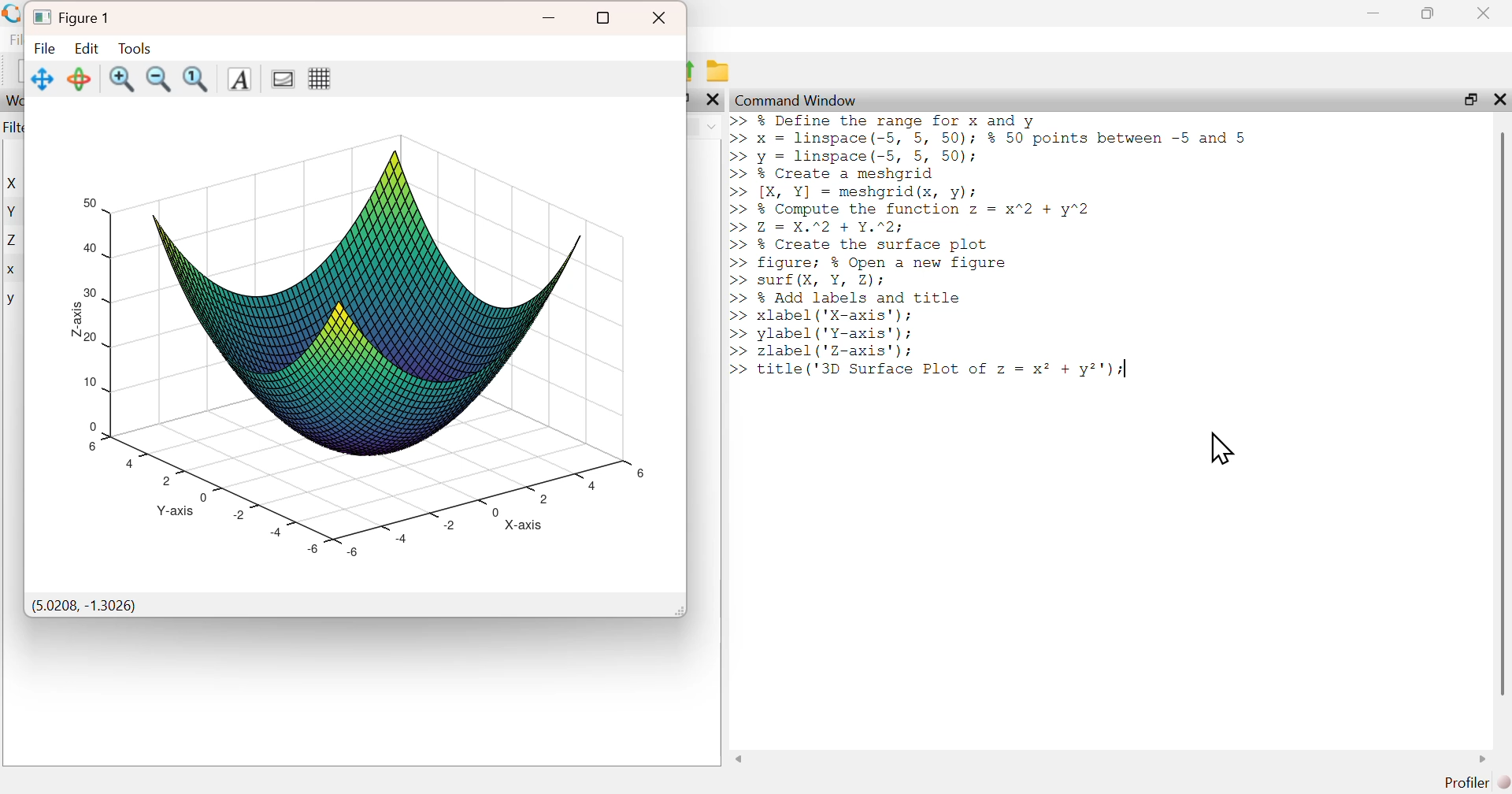 This screenshot has width=1512, height=794. Describe the element at coordinates (46, 48) in the screenshot. I see `File` at that location.